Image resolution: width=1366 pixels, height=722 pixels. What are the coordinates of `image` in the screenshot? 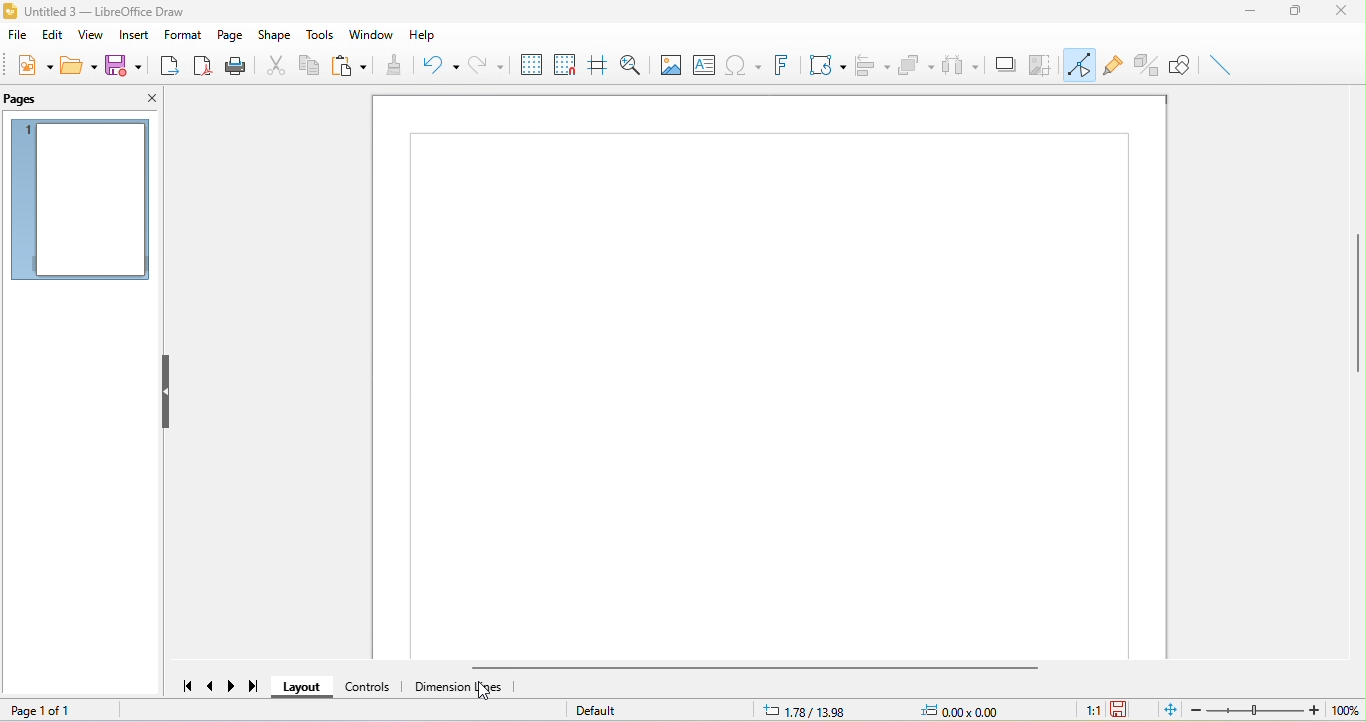 It's located at (670, 67).